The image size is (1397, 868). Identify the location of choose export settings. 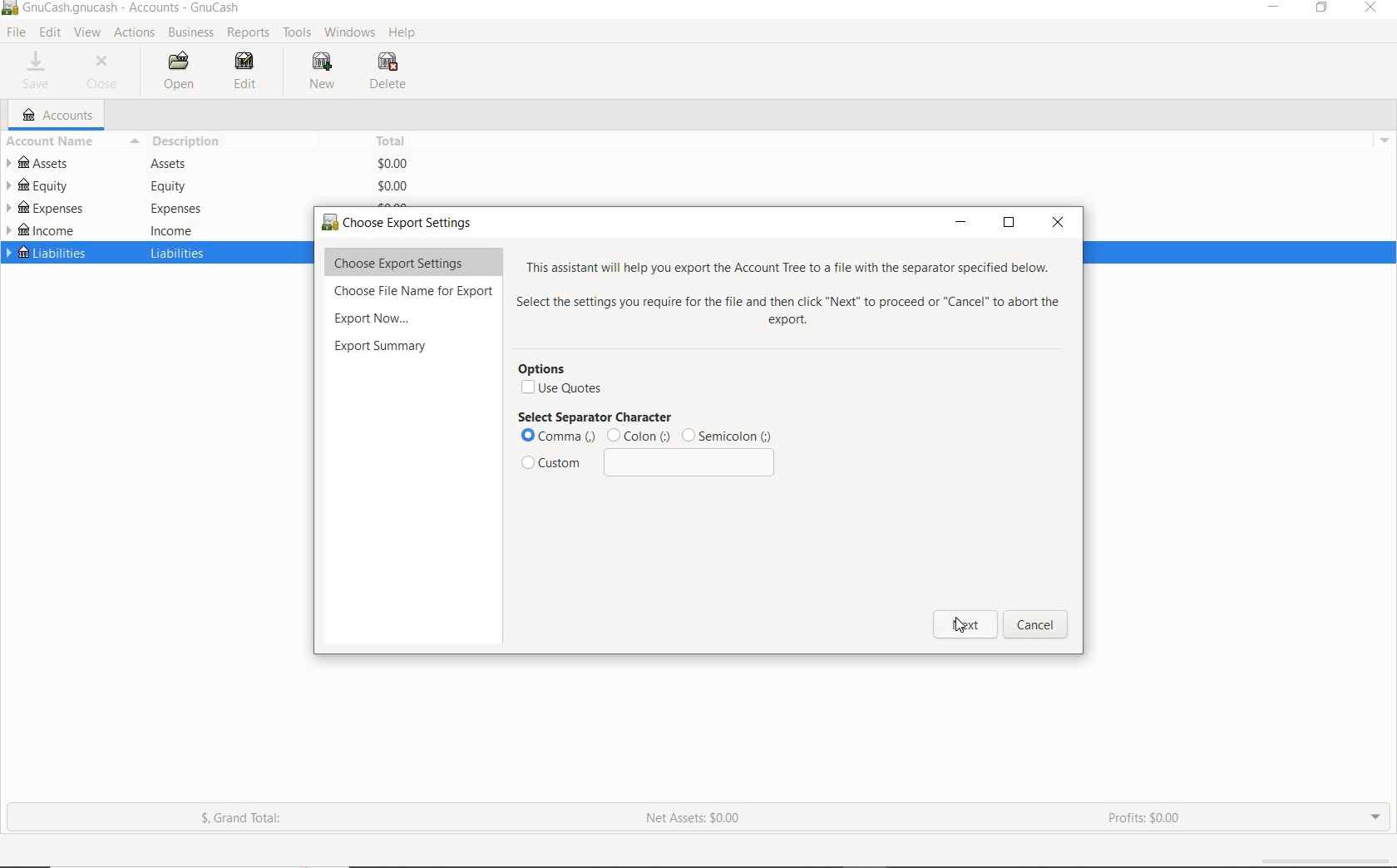
(397, 222).